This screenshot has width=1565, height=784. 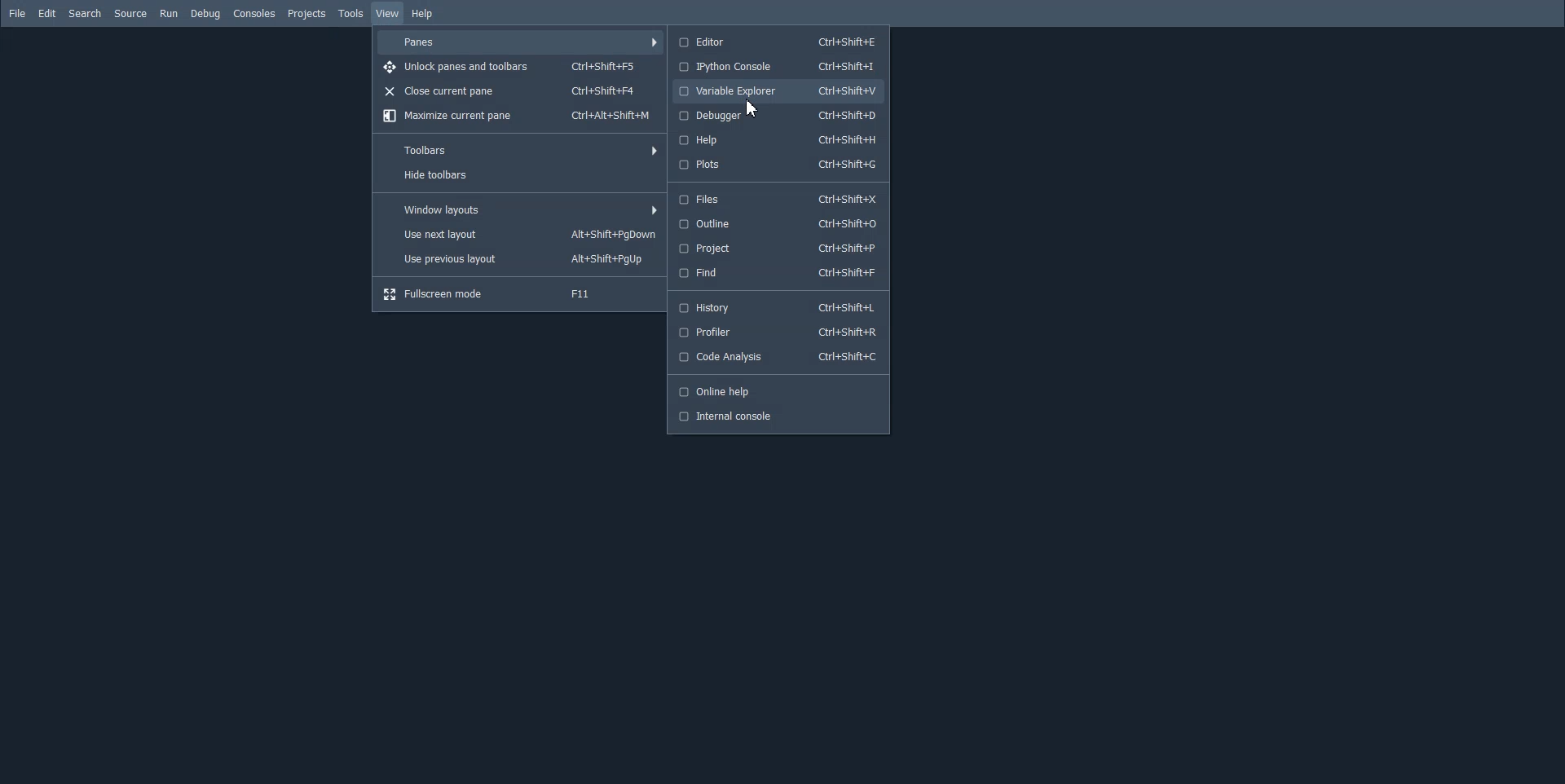 What do you see at coordinates (85, 13) in the screenshot?
I see `Search` at bounding box center [85, 13].